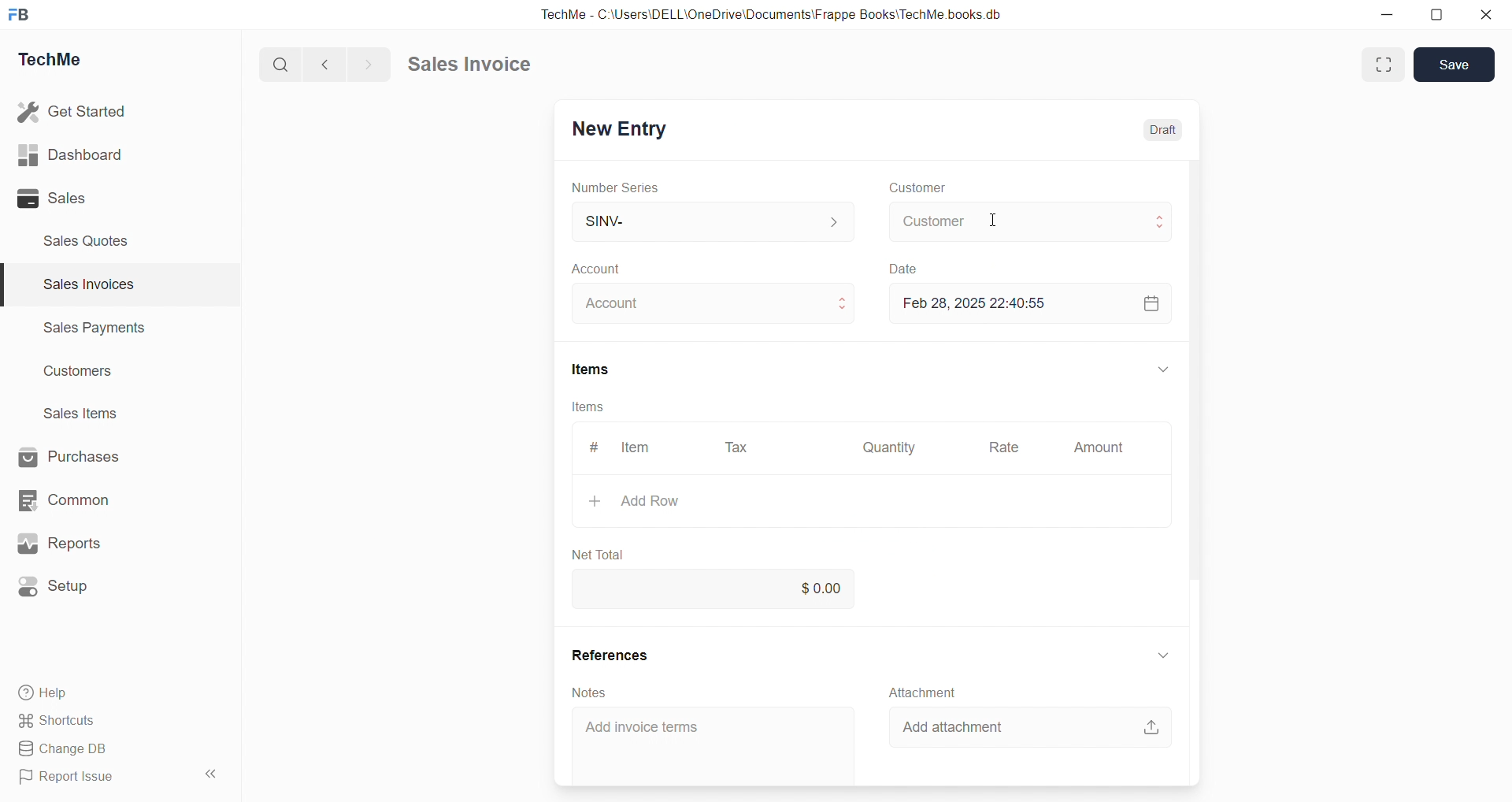 The height and width of the screenshot is (802, 1512). I want to click on Account, so click(715, 303).